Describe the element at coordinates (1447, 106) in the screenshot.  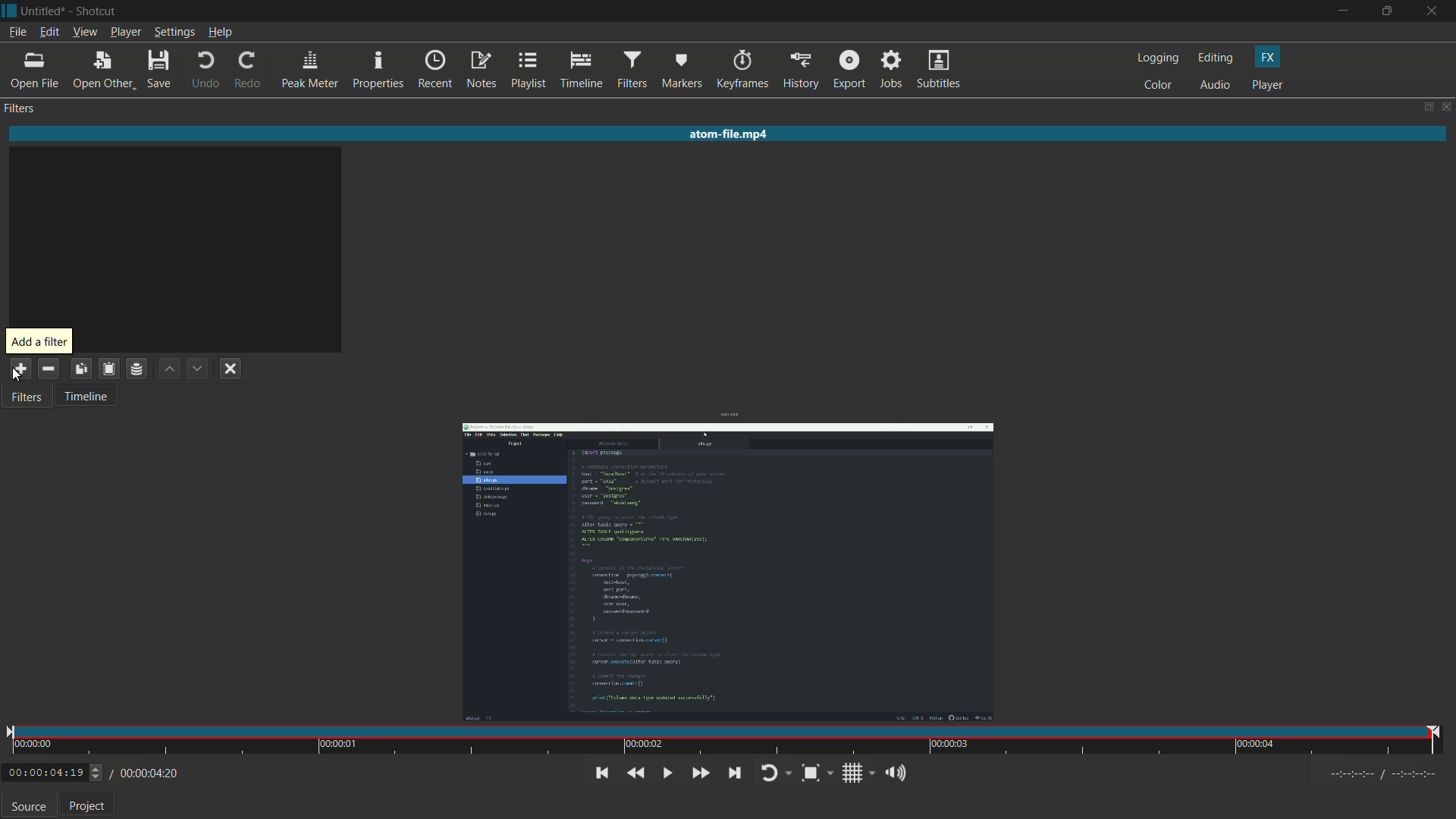
I see `close` at that location.